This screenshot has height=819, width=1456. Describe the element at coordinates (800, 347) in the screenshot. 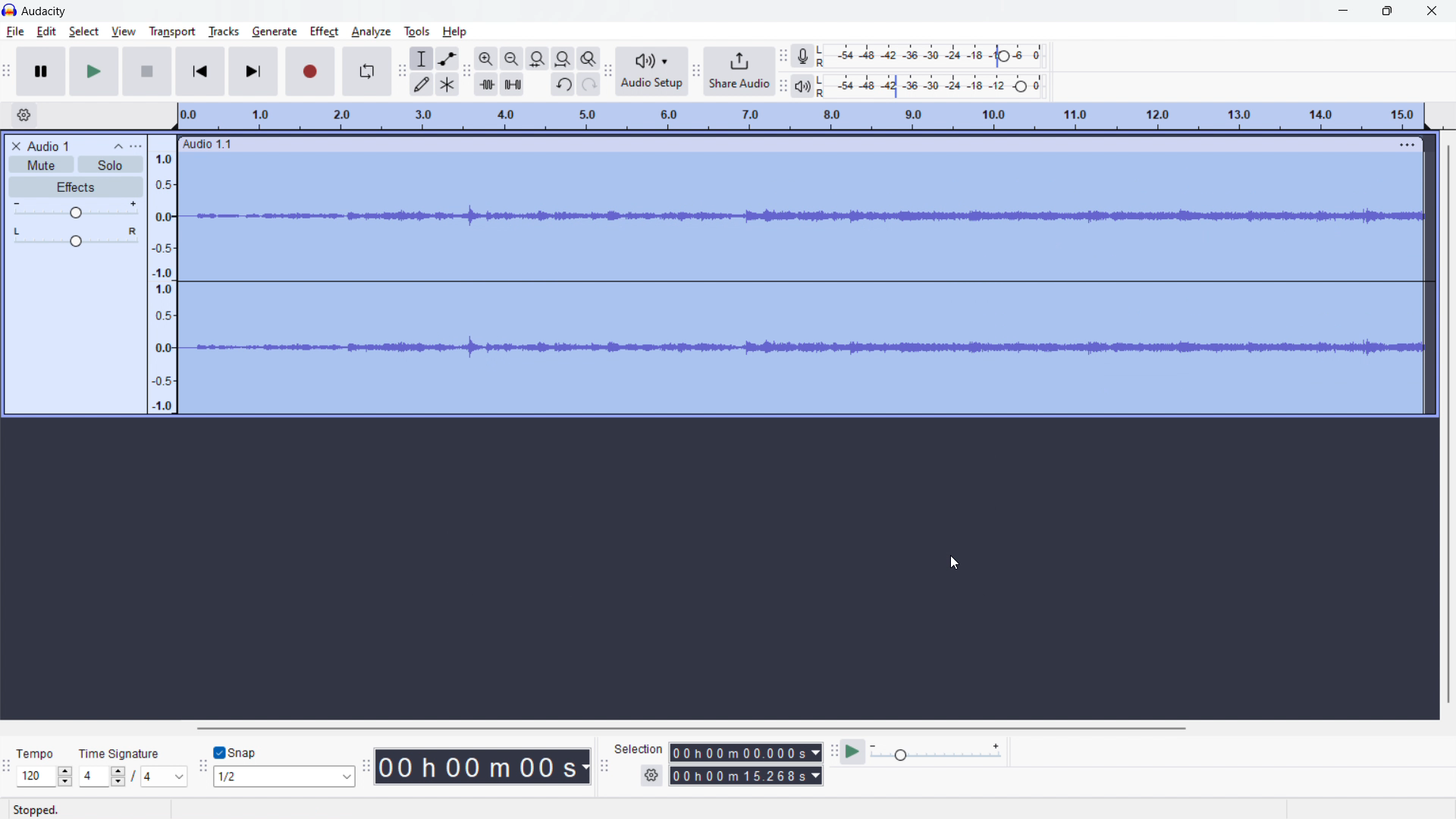

I see `waveform changed` at that location.